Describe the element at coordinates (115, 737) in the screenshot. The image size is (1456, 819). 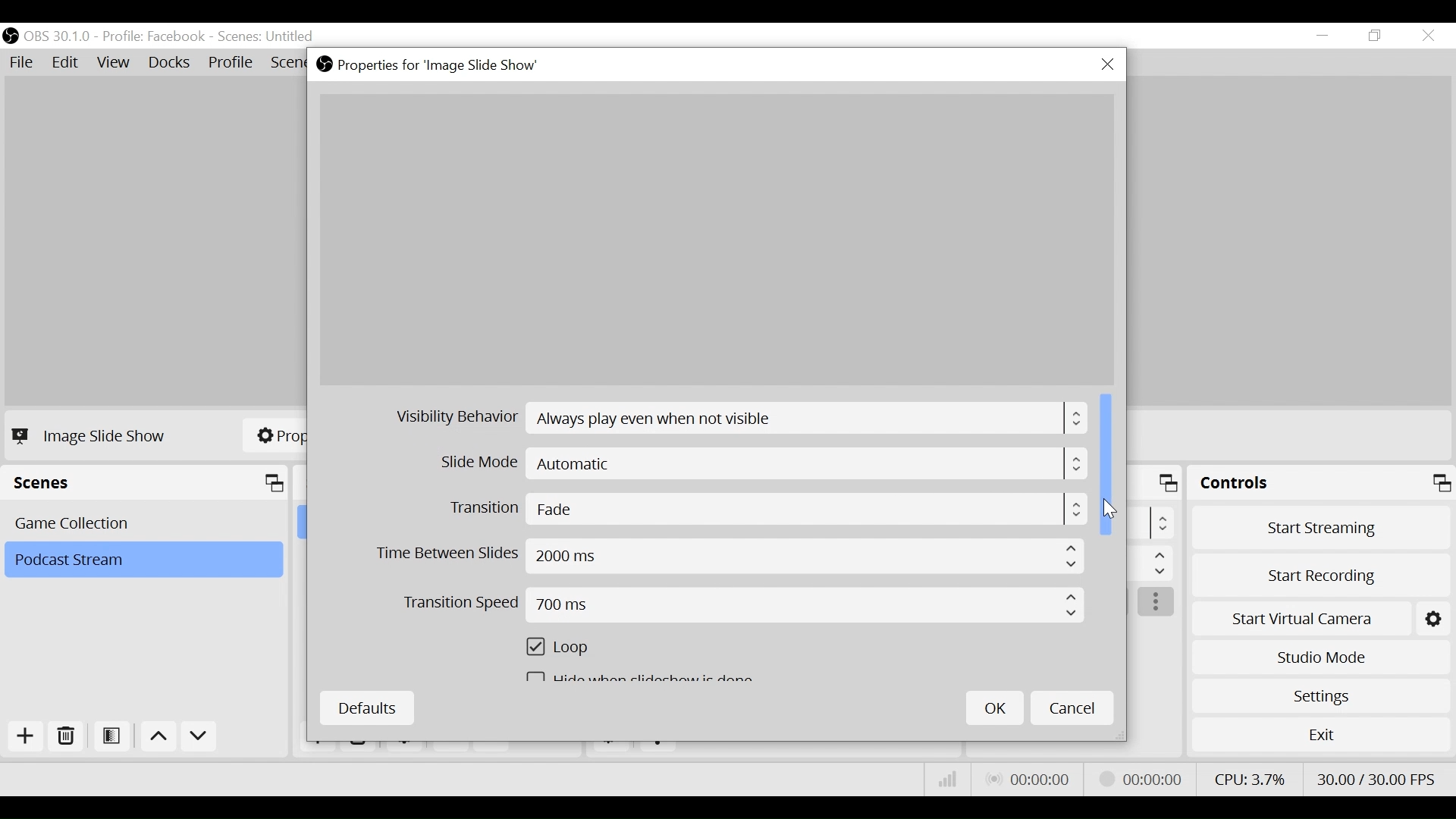
I see `Open Scene Filter` at that location.